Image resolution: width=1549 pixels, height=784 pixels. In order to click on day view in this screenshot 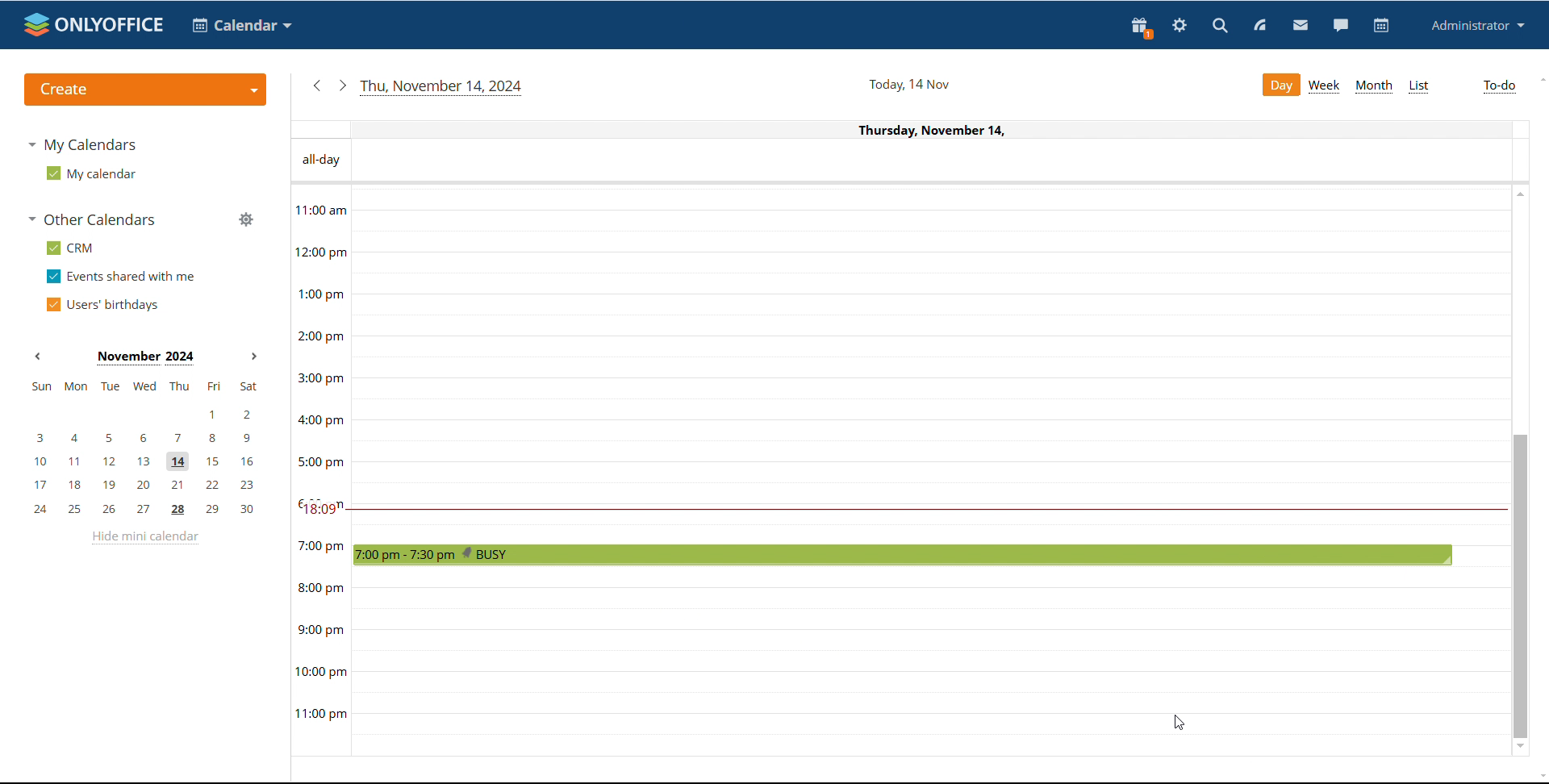, I will do `click(1280, 85)`.